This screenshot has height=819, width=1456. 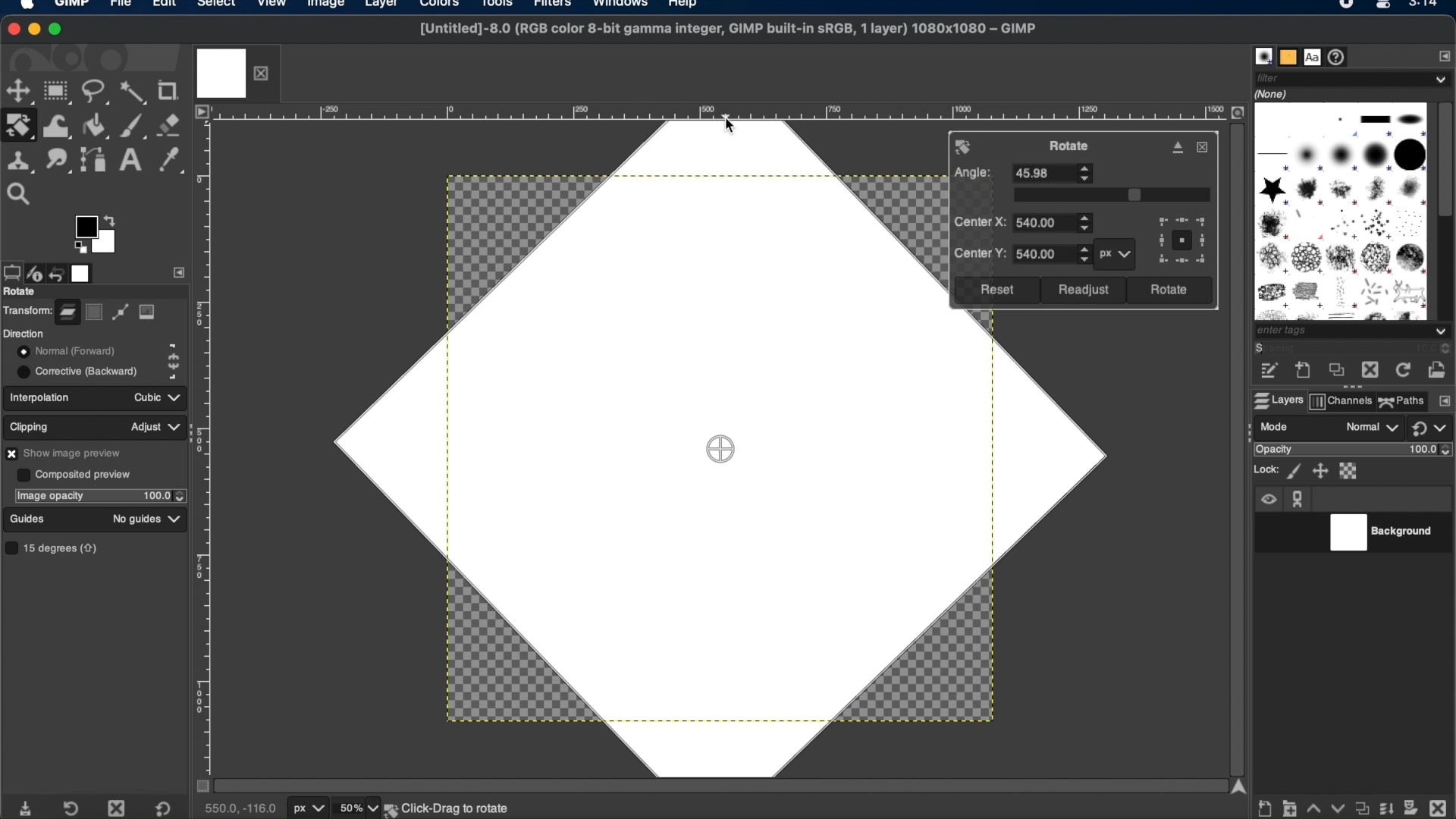 What do you see at coordinates (171, 373) in the screenshot?
I see `corrective backward icon` at bounding box center [171, 373].